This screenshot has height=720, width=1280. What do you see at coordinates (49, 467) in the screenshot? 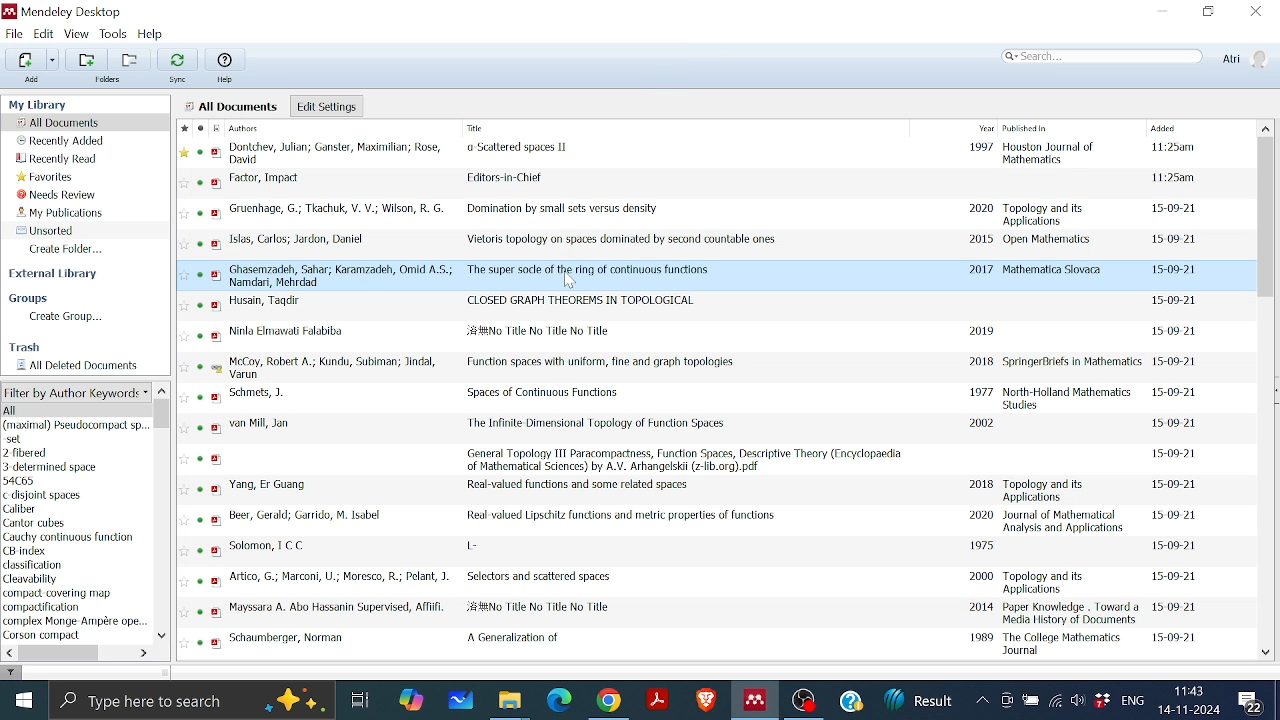
I see `3 determined space` at bounding box center [49, 467].